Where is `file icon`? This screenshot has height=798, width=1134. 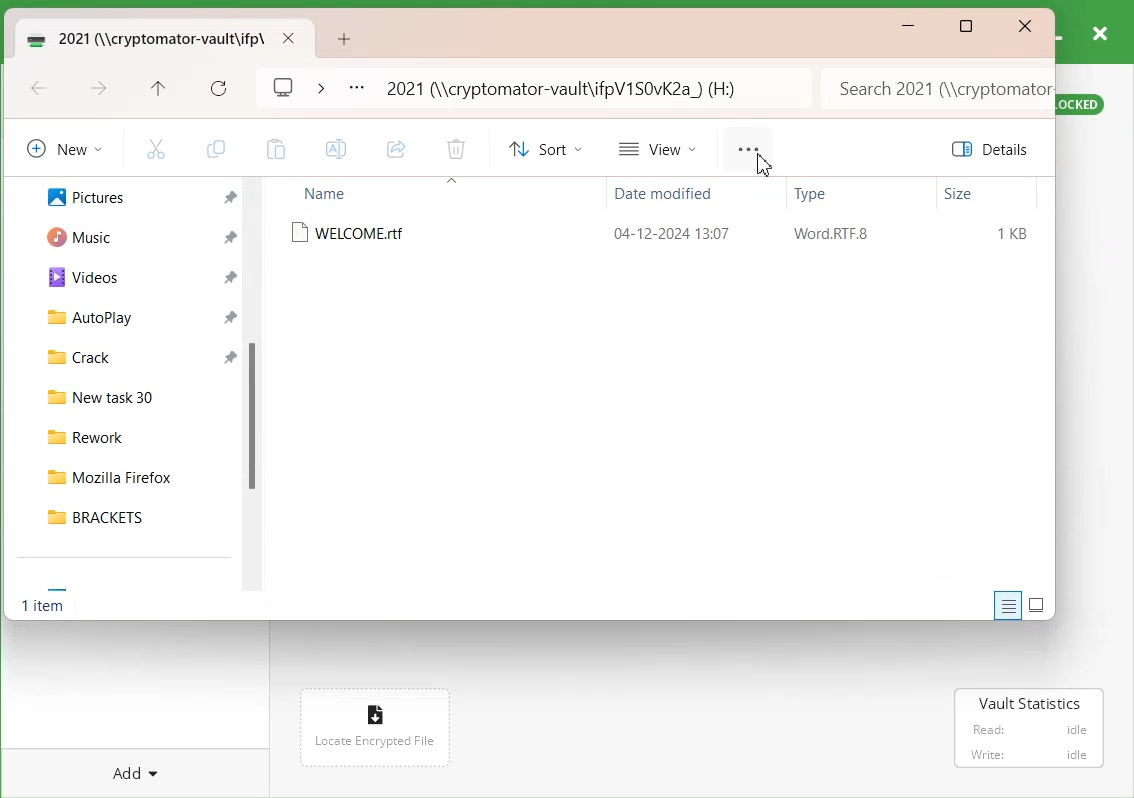 file icon is located at coordinates (372, 711).